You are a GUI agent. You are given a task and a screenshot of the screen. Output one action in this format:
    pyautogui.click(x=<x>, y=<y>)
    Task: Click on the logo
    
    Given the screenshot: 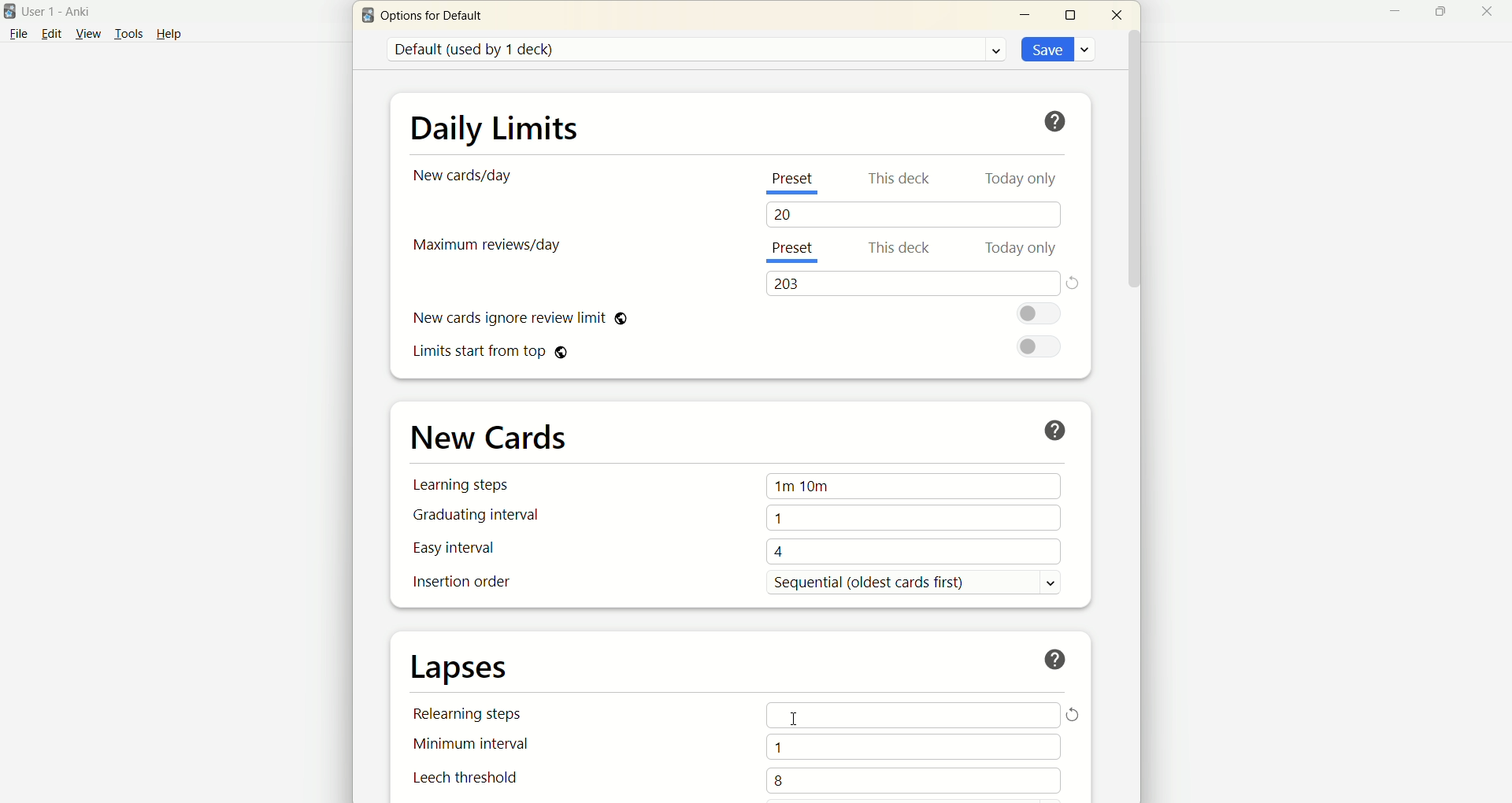 What is the action you would take?
    pyautogui.click(x=365, y=17)
    